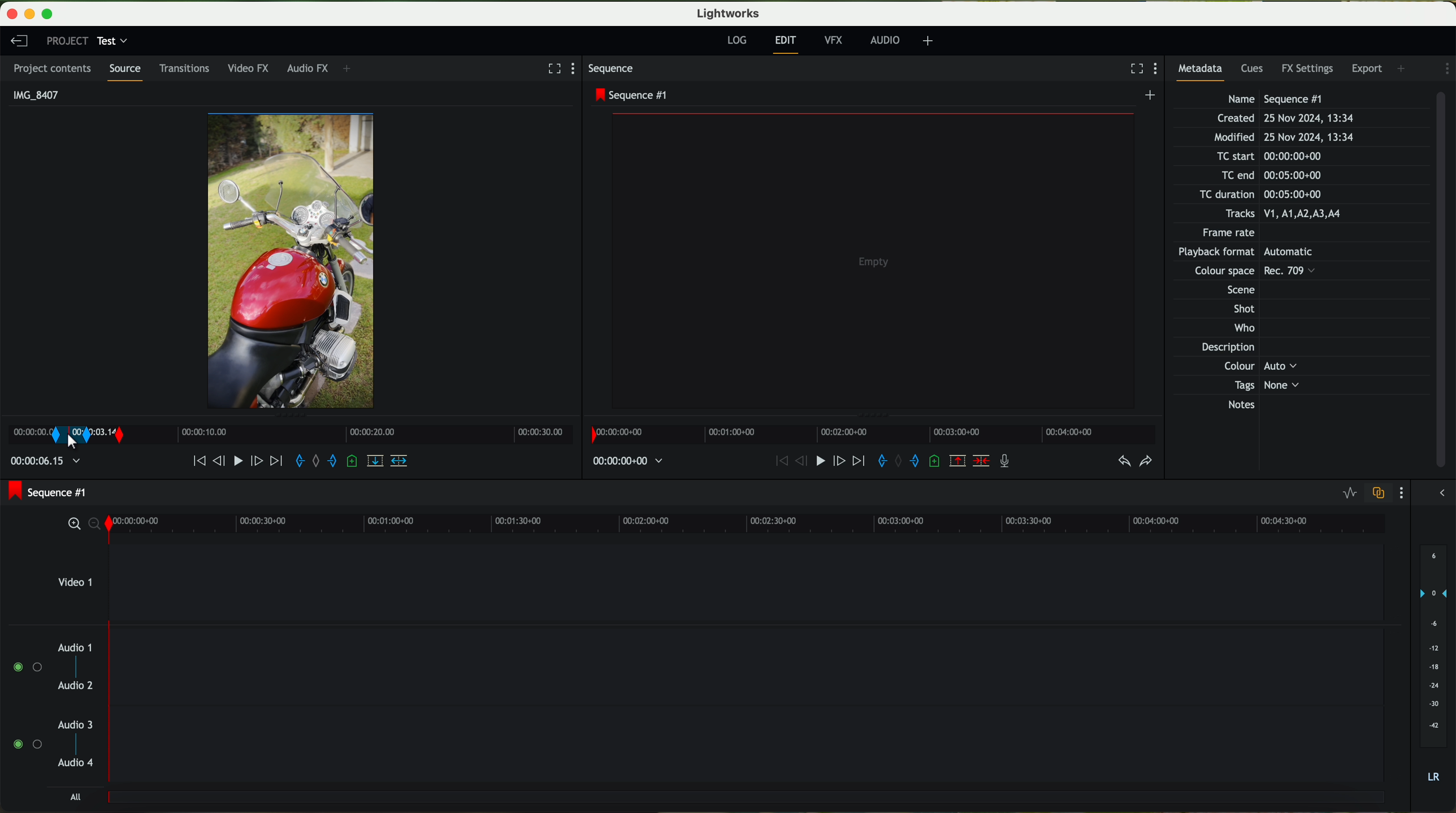  What do you see at coordinates (883, 40) in the screenshot?
I see `AUDIO` at bounding box center [883, 40].